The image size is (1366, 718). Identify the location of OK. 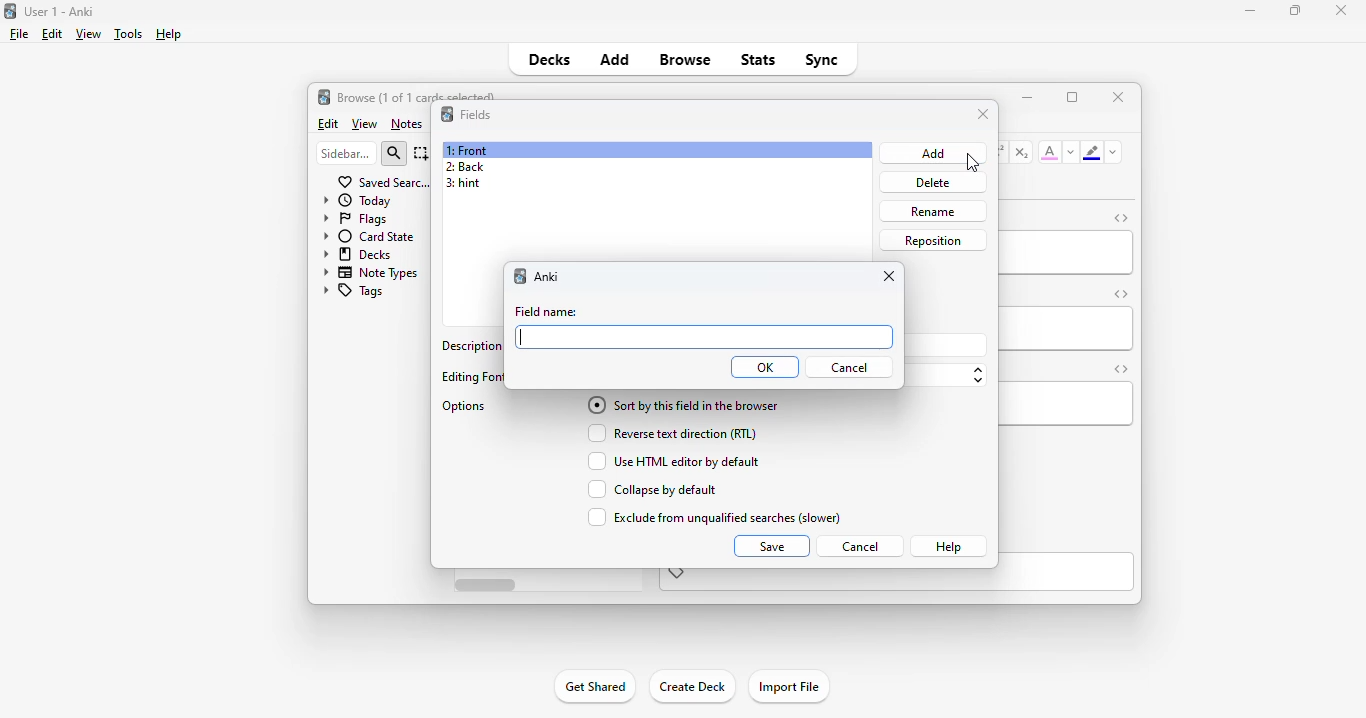
(764, 367).